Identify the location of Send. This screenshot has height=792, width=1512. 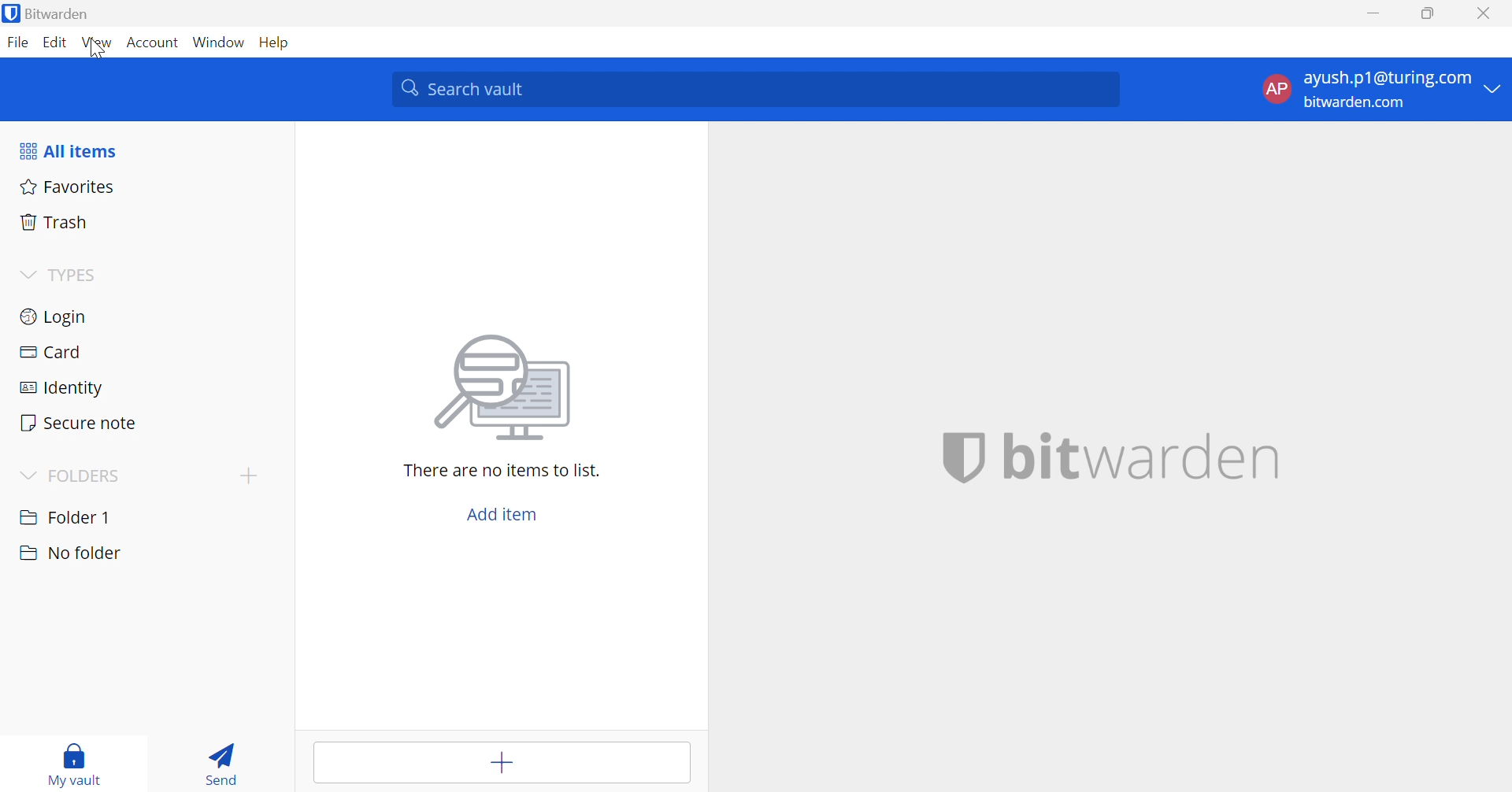
(224, 762).